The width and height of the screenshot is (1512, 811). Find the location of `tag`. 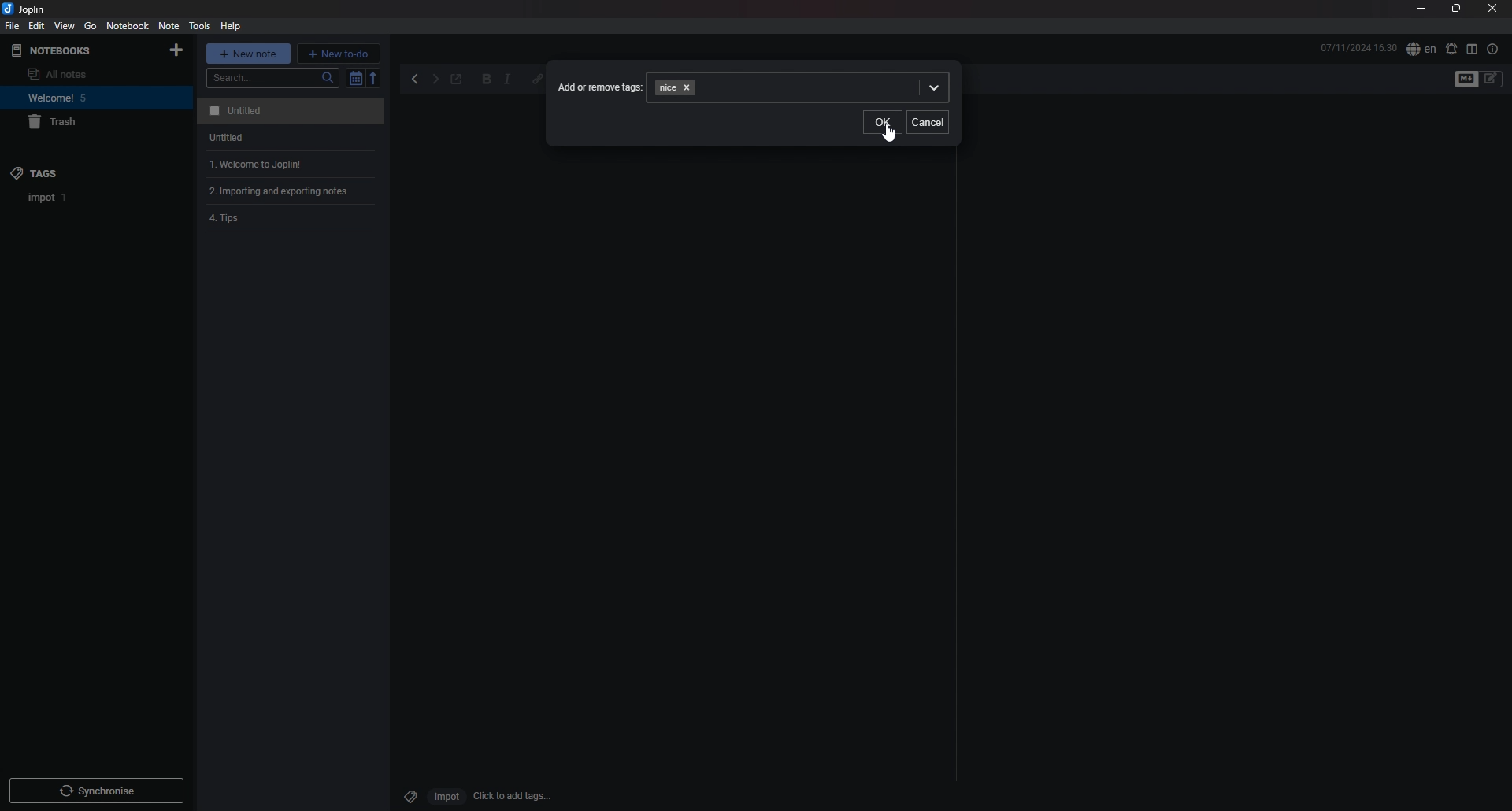

tag is located at coordinates (407, 794).